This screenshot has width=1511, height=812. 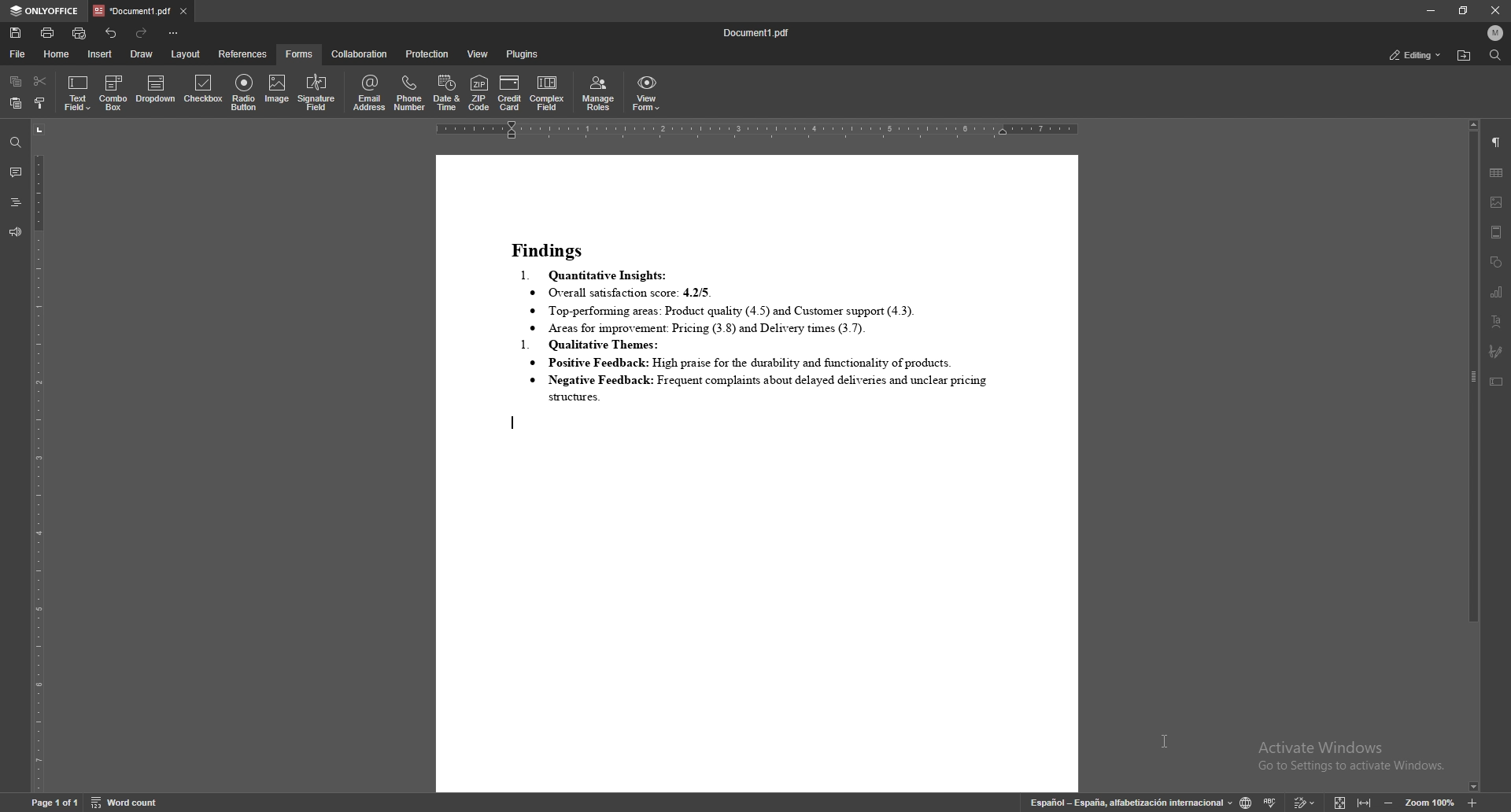 What do you see at coordinates (1498, 292) in the screenshot?
I see `chart` at bounding box center [1498, 292].